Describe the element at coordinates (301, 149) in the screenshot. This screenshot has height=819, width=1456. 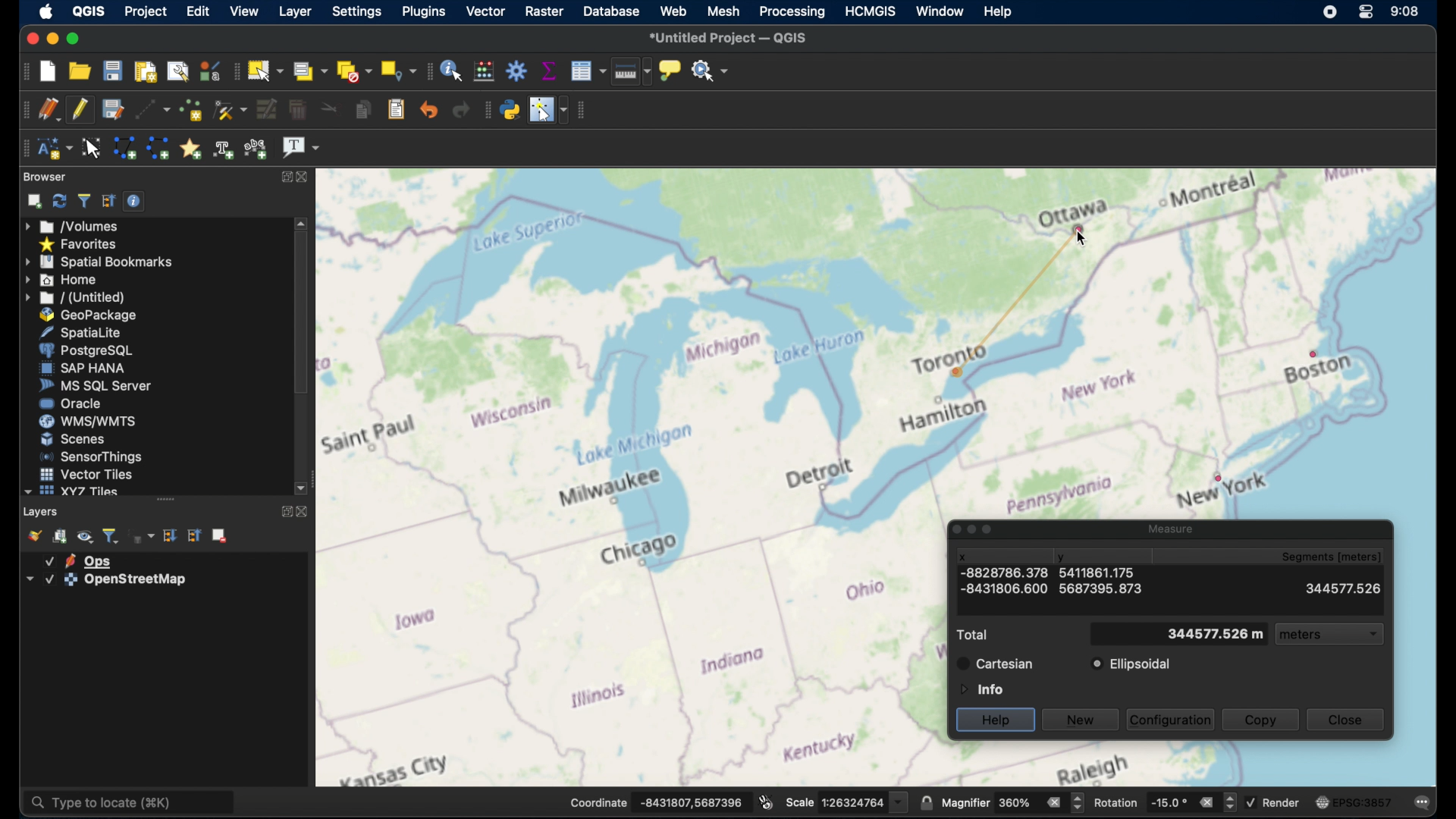
I see `text annotation` at that location.